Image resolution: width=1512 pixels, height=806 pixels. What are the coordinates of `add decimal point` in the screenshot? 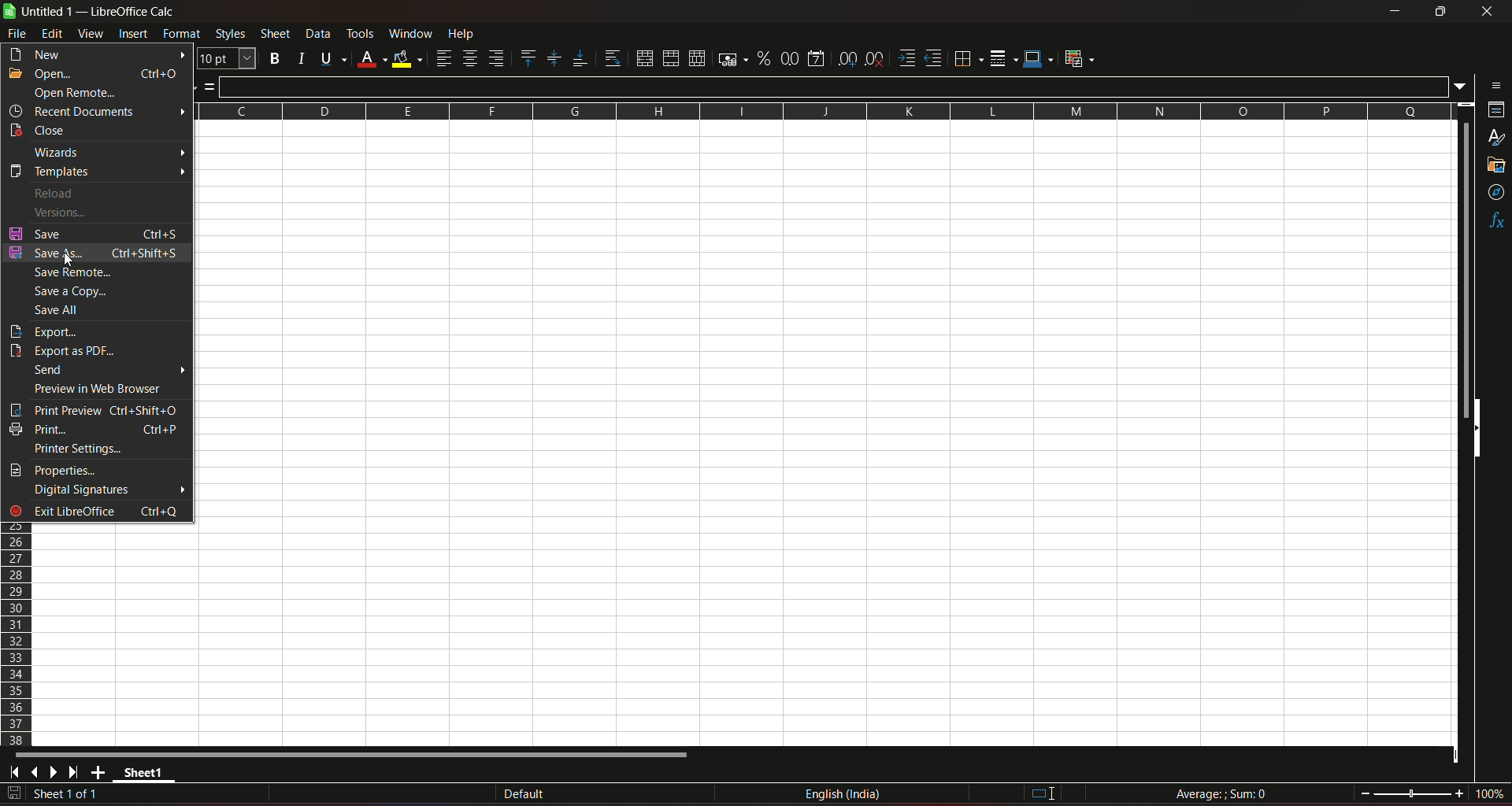 It's located at (849, 59).